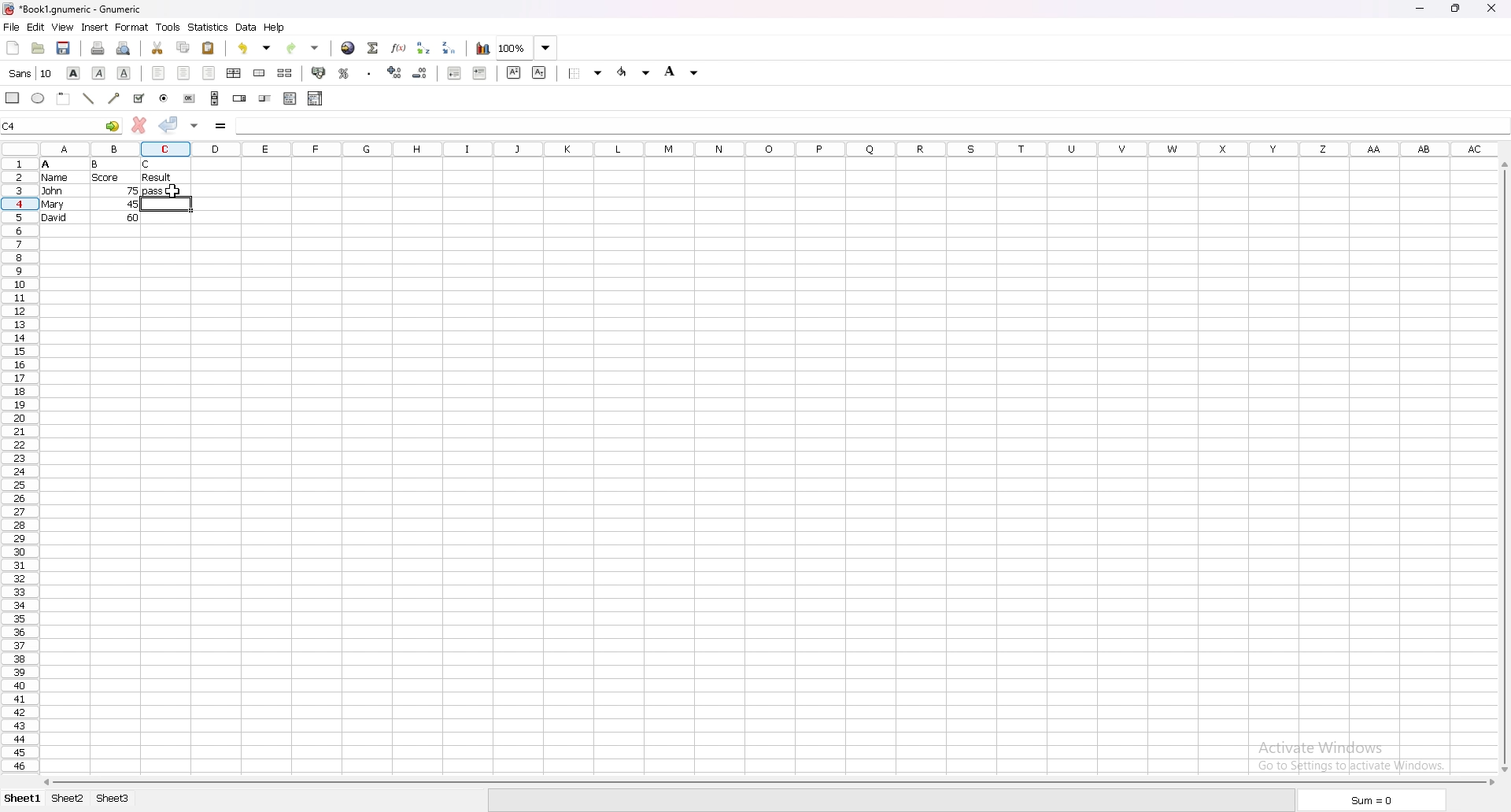 The width and height of the screenshot is (1511, 812). Describe the element at coordinates (454, 72) in the screenshot. I see `decrease indent` at that location.